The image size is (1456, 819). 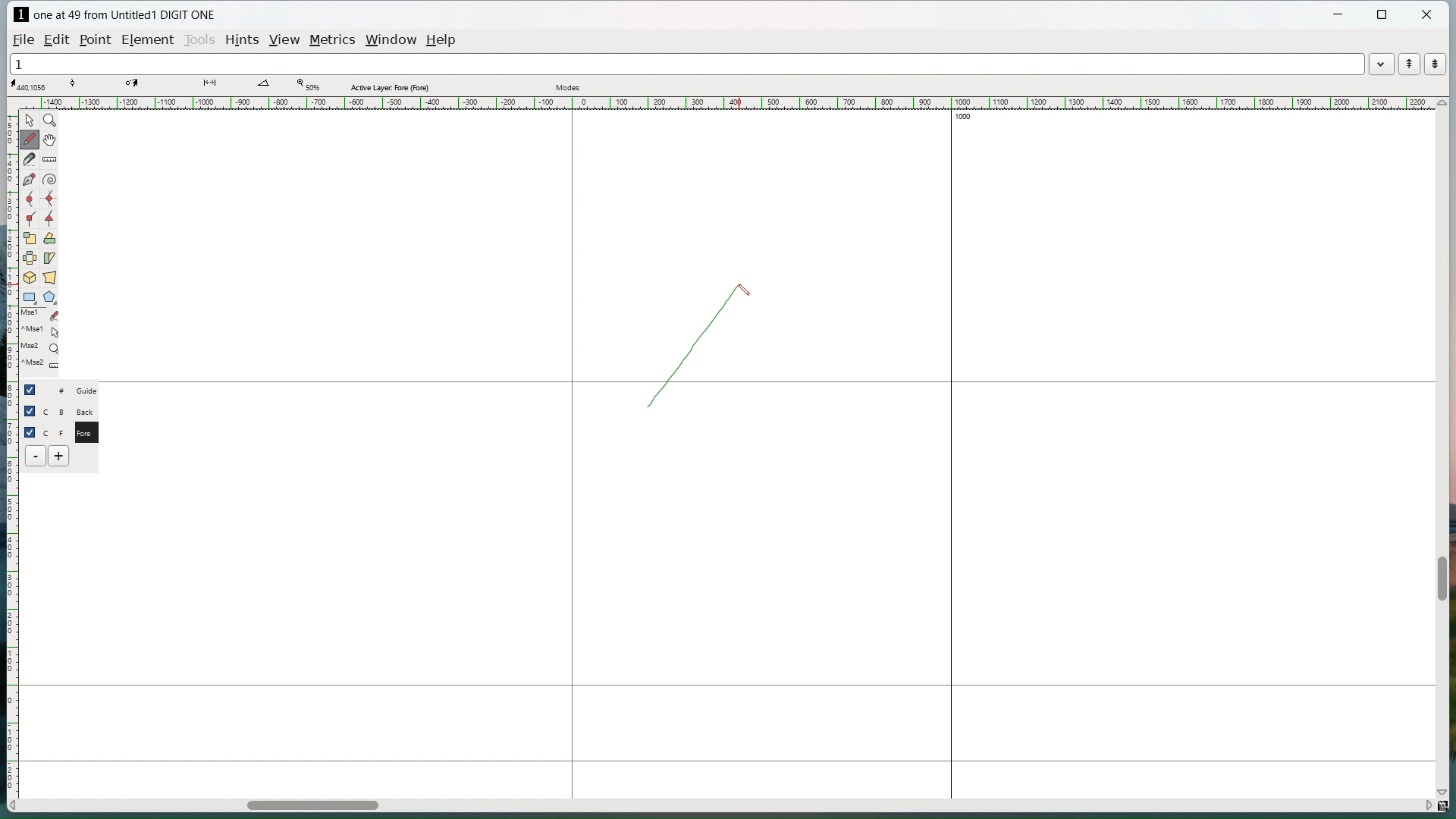 What do you see at coordinates (126, 15) in the screenshot?
I see `one at 49 from Untitled1 DIGIT ONE` at bounding box center [126, 15].